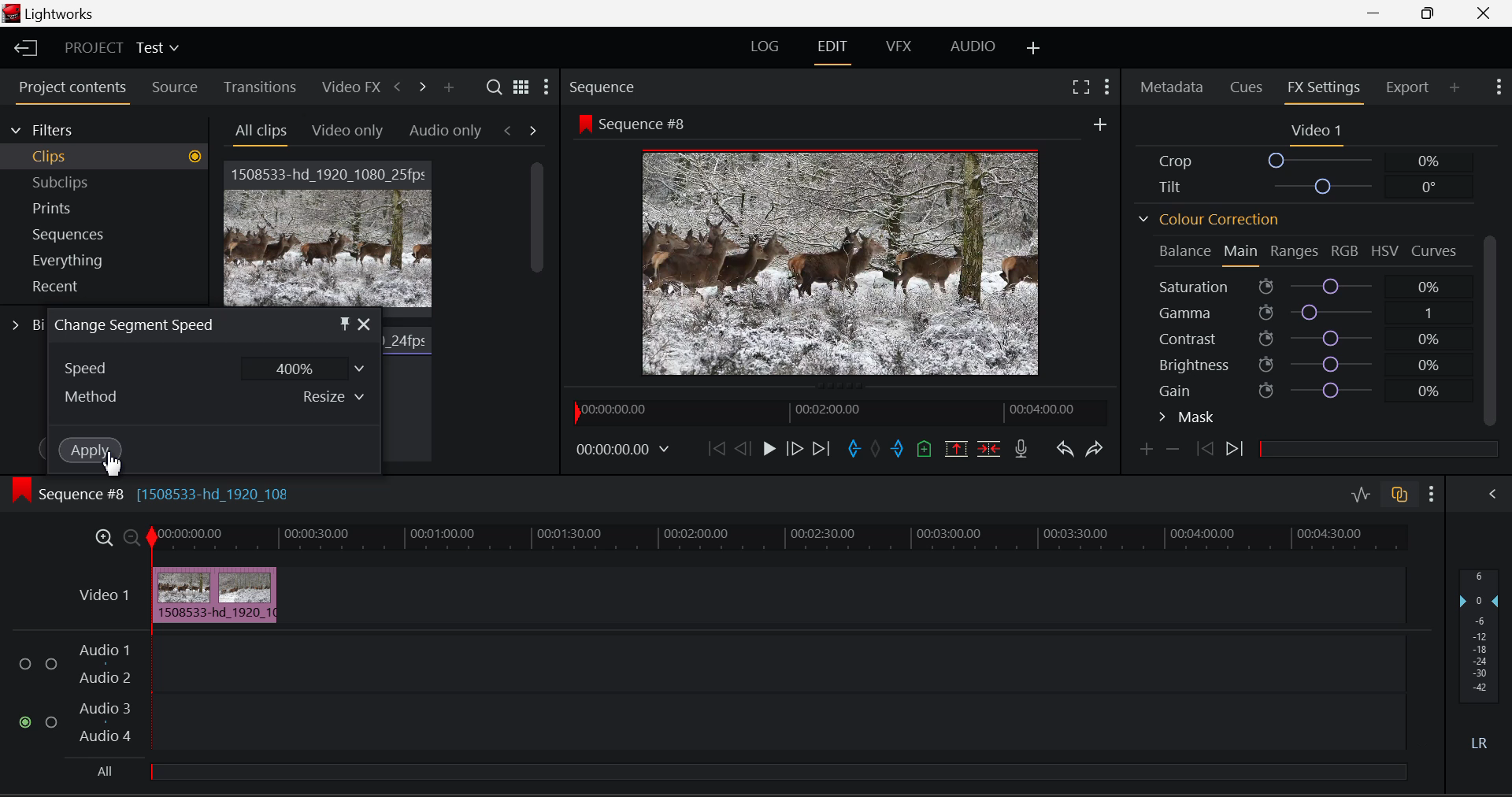  What do you see at coordinates (535, 237) in the screenshot?
I see `Scroll Bar` at bounding box center [535, 237].